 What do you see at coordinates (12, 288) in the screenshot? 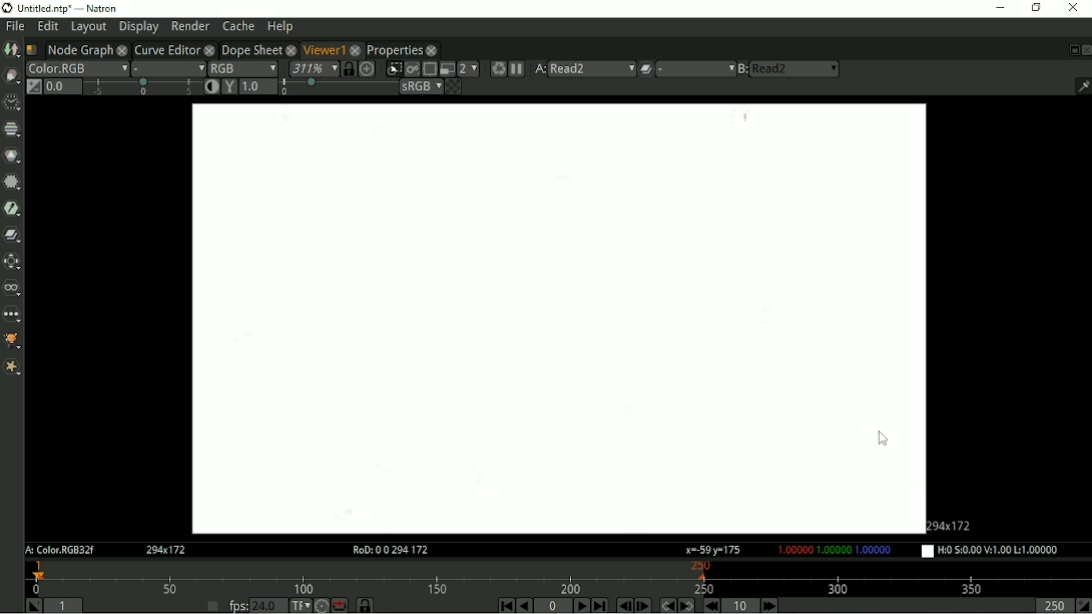
I see `Views` at bounding box center [12, 288].